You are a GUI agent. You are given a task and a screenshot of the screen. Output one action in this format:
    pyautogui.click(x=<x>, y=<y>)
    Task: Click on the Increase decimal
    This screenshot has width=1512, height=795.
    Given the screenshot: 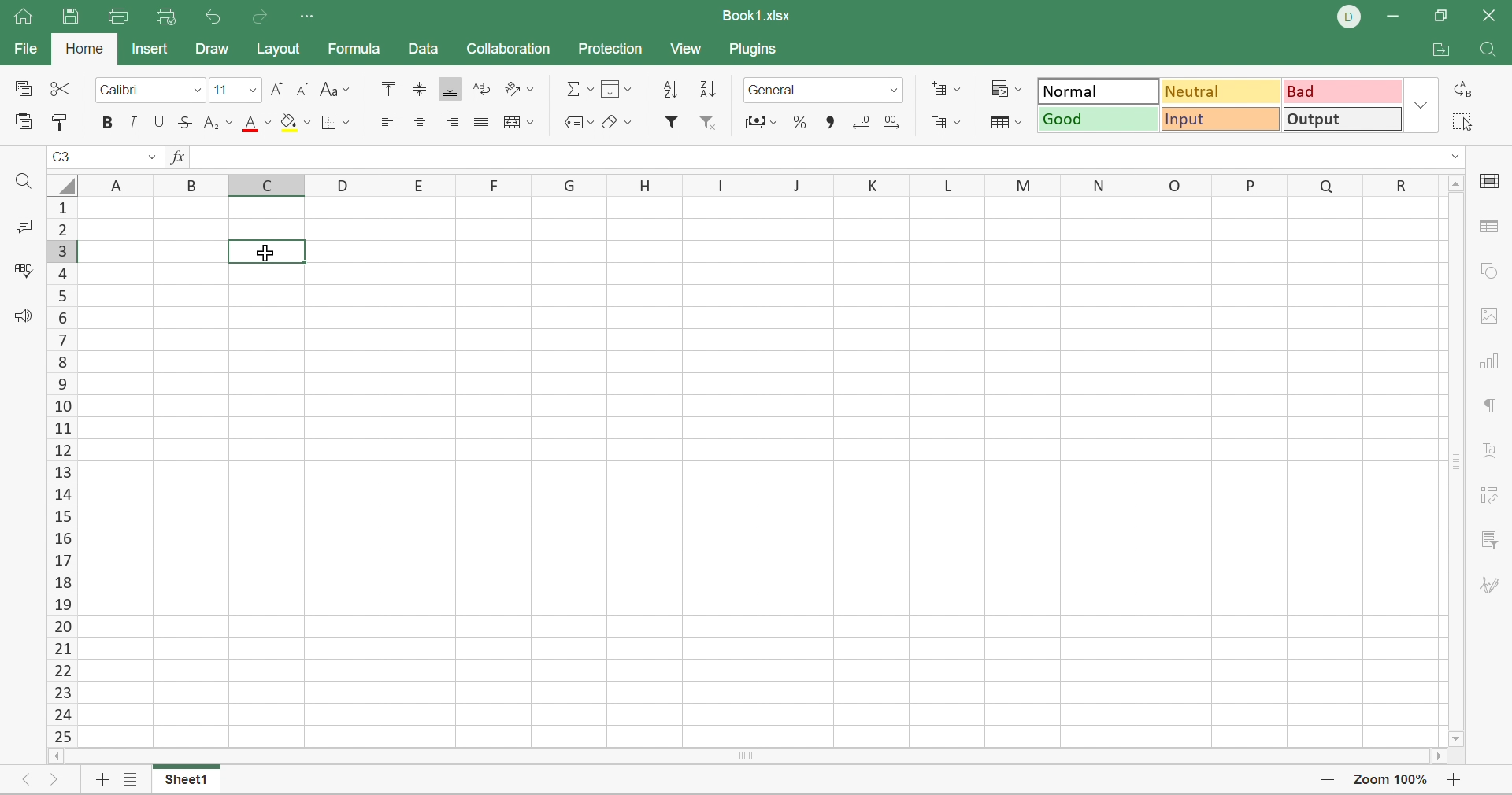 What is the action you would take?
    pyautogui.click(x=894, y=120)
    